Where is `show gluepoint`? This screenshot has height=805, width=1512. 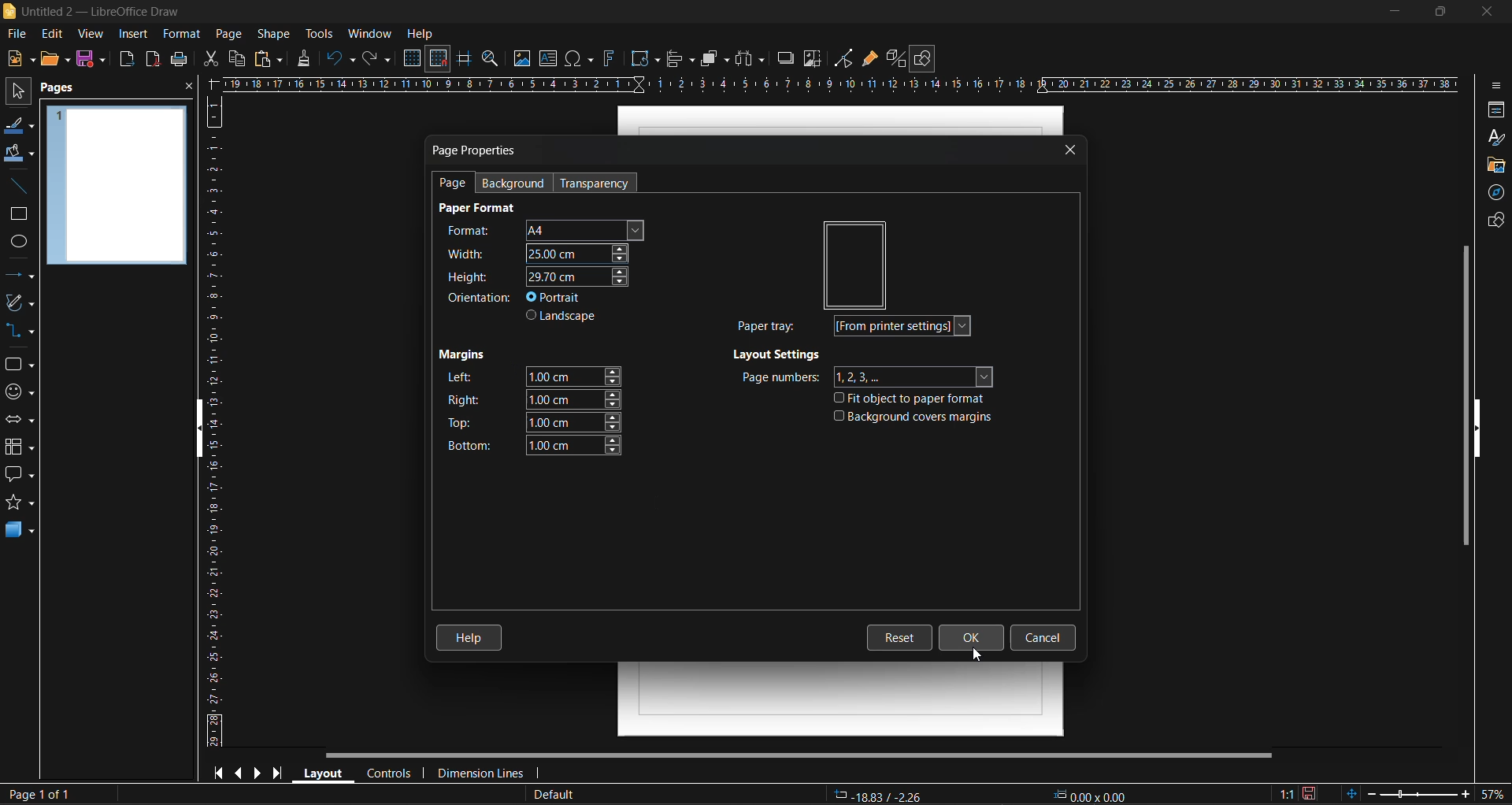 show gluepoint is located at coordinates (869, 61).